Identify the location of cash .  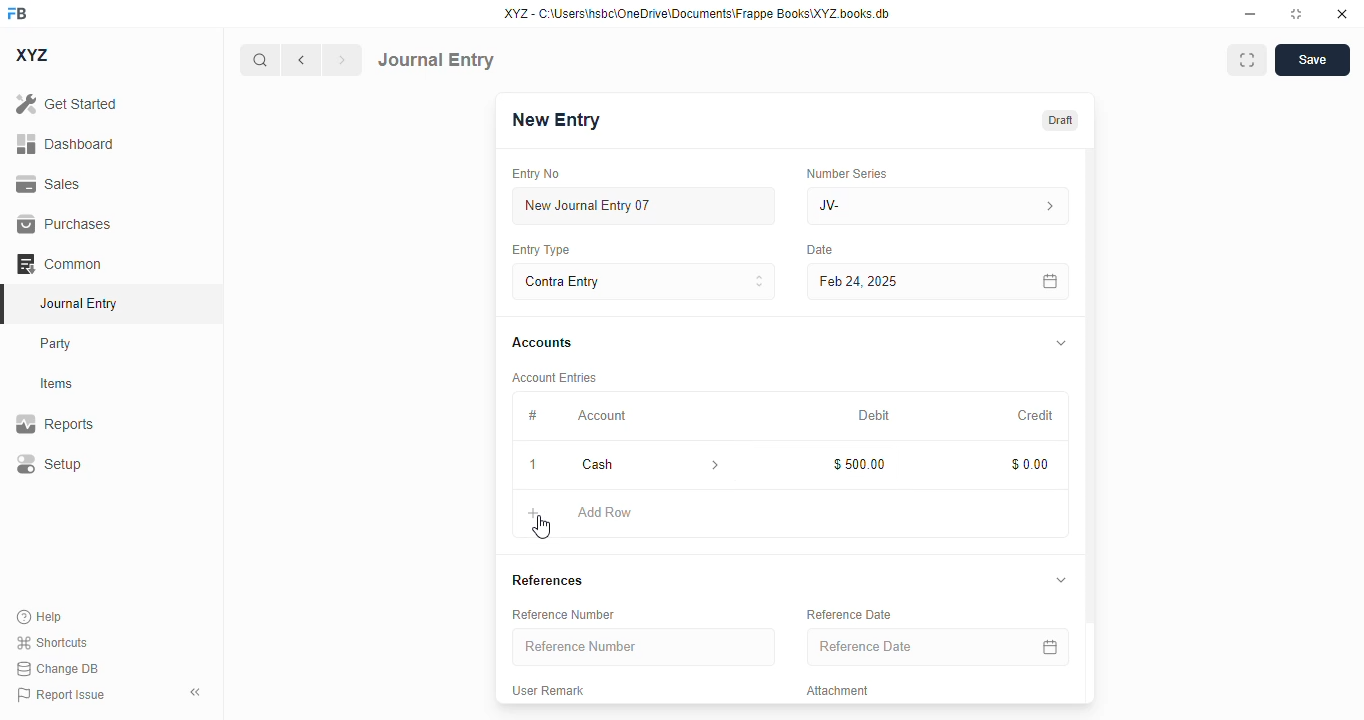
(626, 464).